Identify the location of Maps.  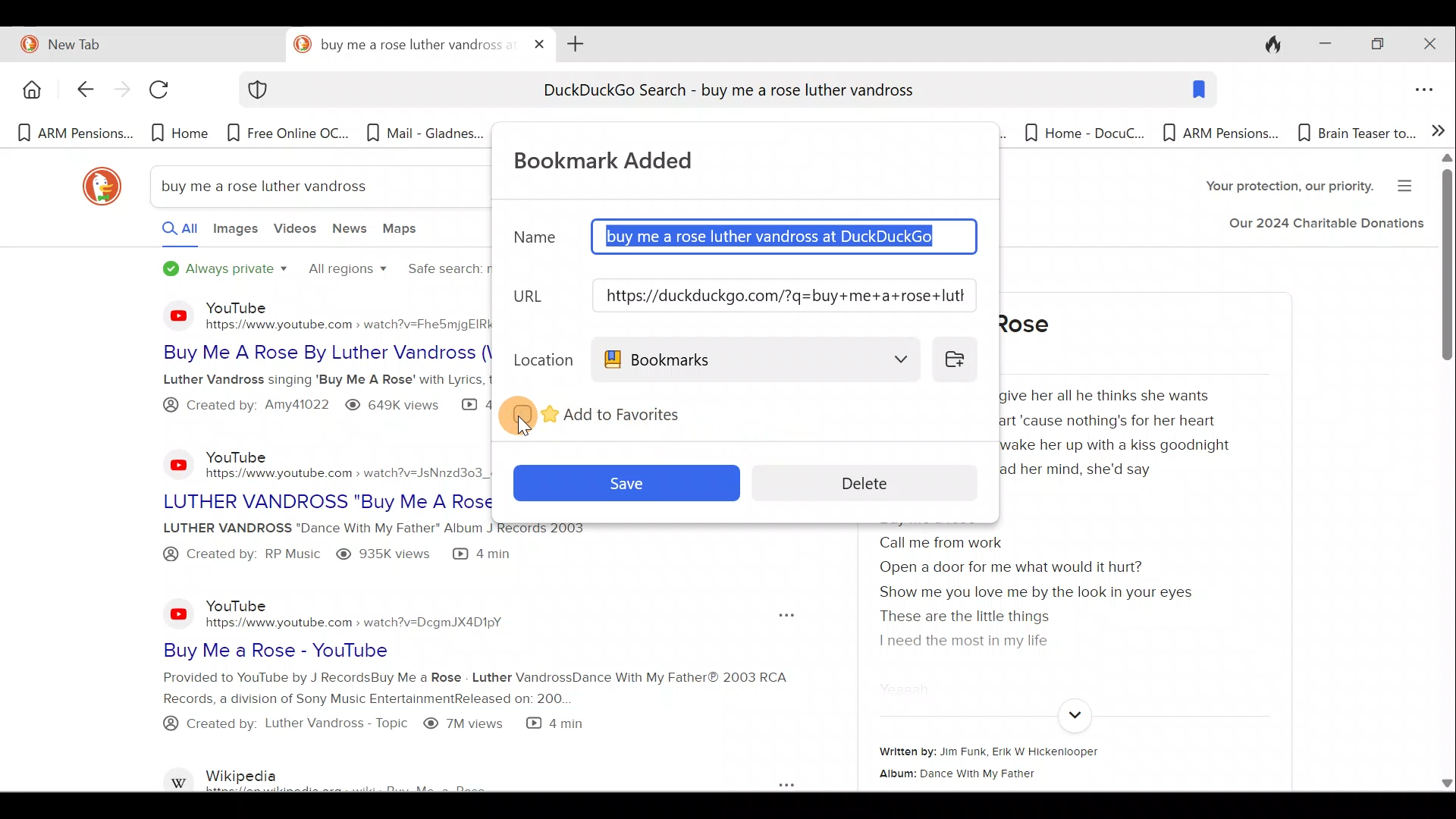
(404, 231).